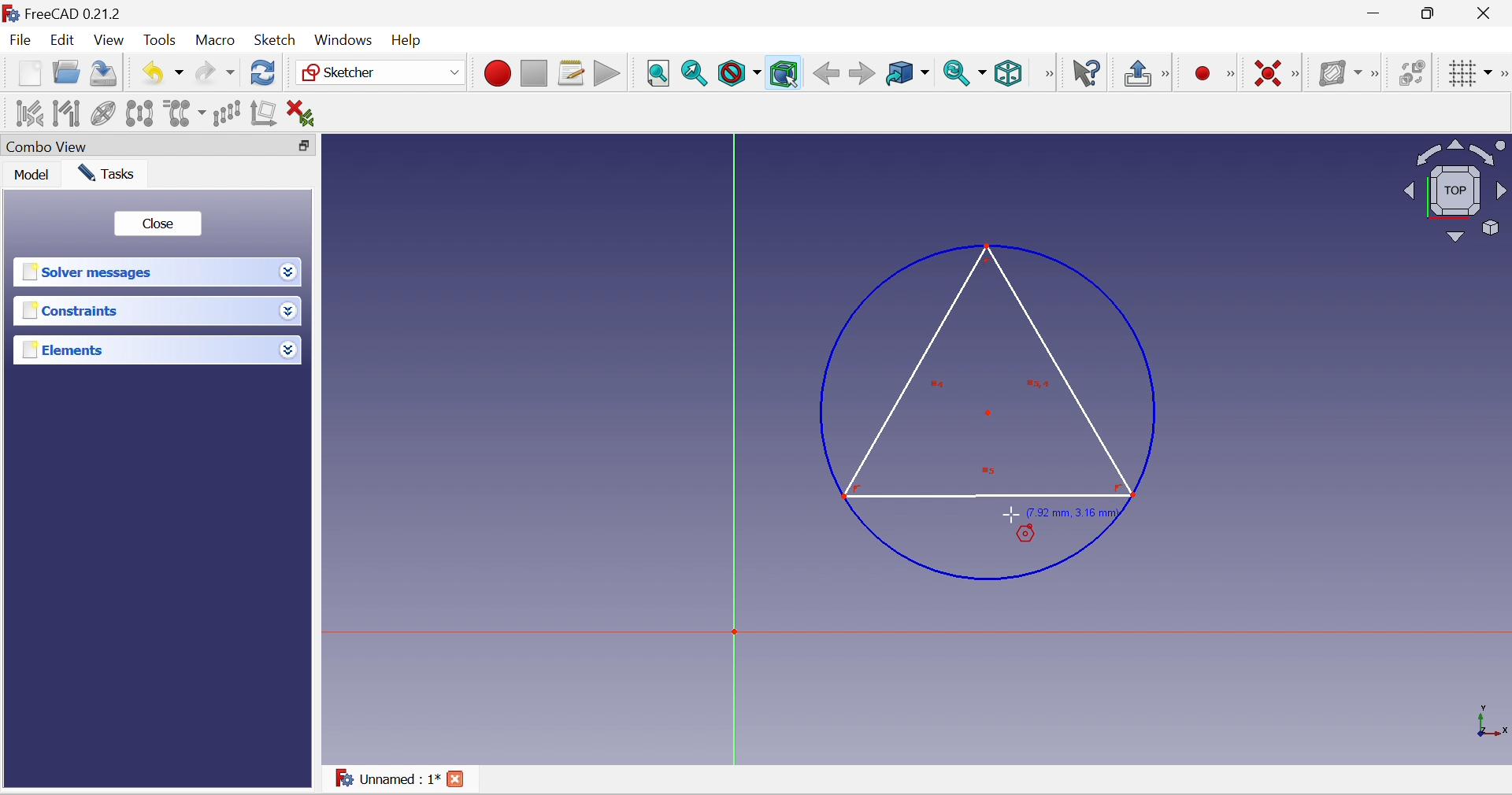  What do you see at coordinates (410, 41) in the screenshot?
I see `` at bounding box center [410, 41].